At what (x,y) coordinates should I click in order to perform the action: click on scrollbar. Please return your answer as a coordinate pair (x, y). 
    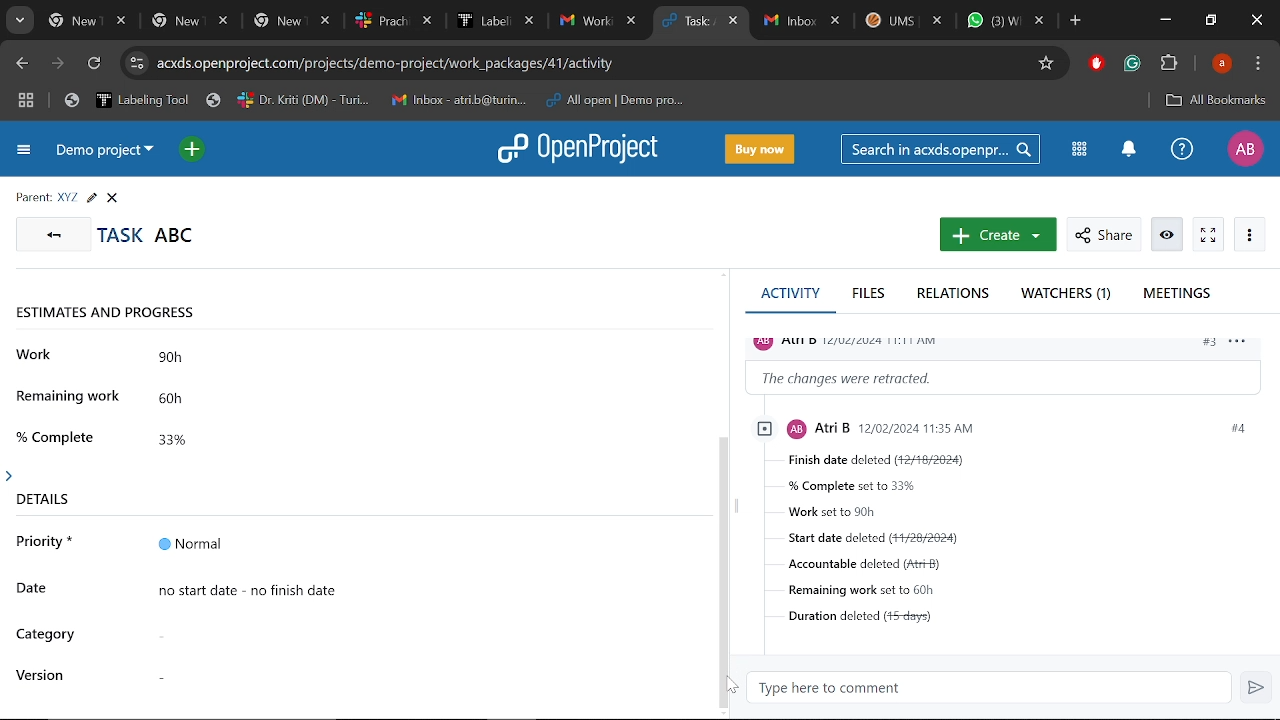
    Looking at the image, I should click on (726, 569).